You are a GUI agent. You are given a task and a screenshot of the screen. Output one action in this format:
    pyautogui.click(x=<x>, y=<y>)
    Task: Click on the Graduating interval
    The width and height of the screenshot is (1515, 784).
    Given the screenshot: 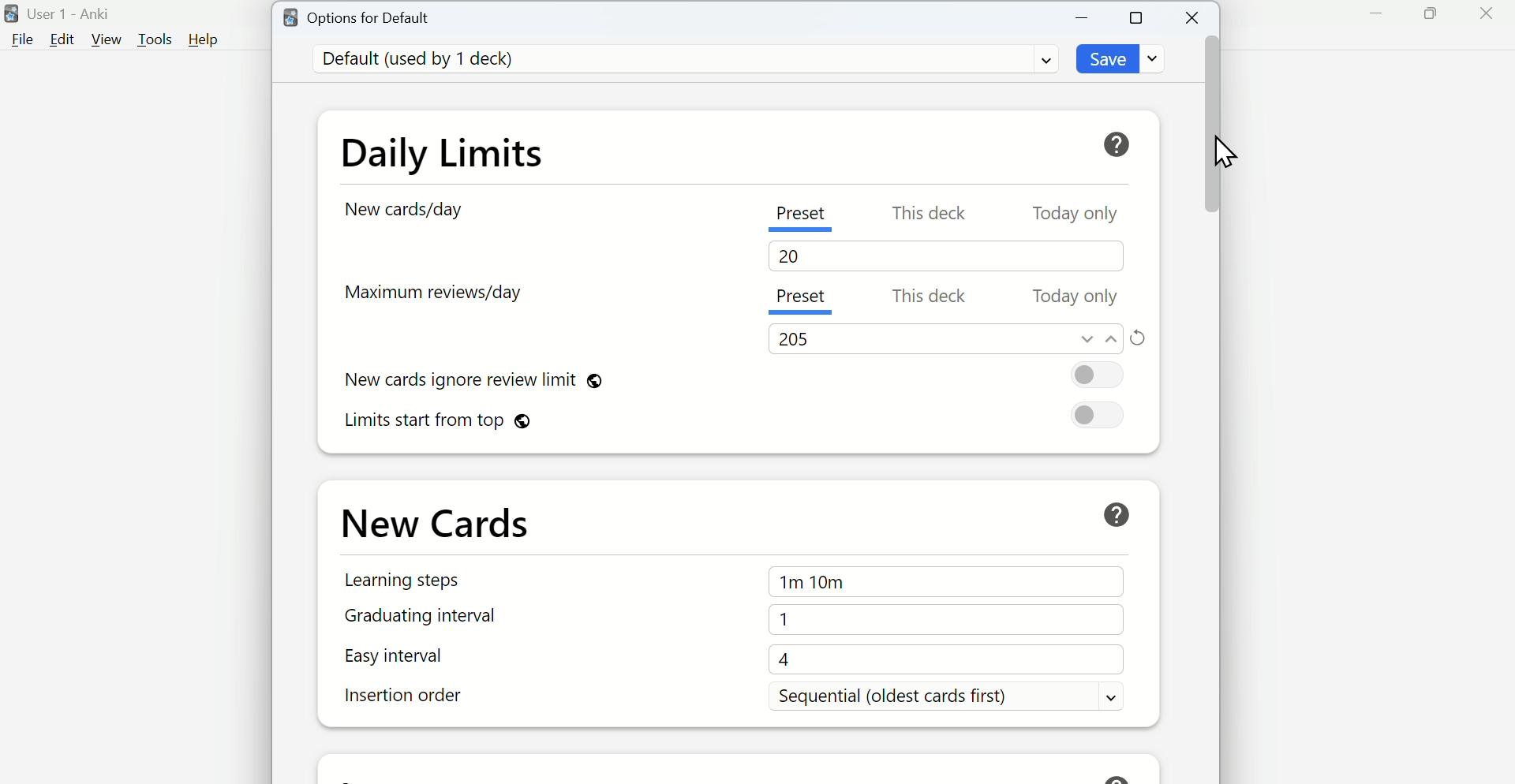 What is the action you would take?
    pyautogui.click(x=421, y=615)
    